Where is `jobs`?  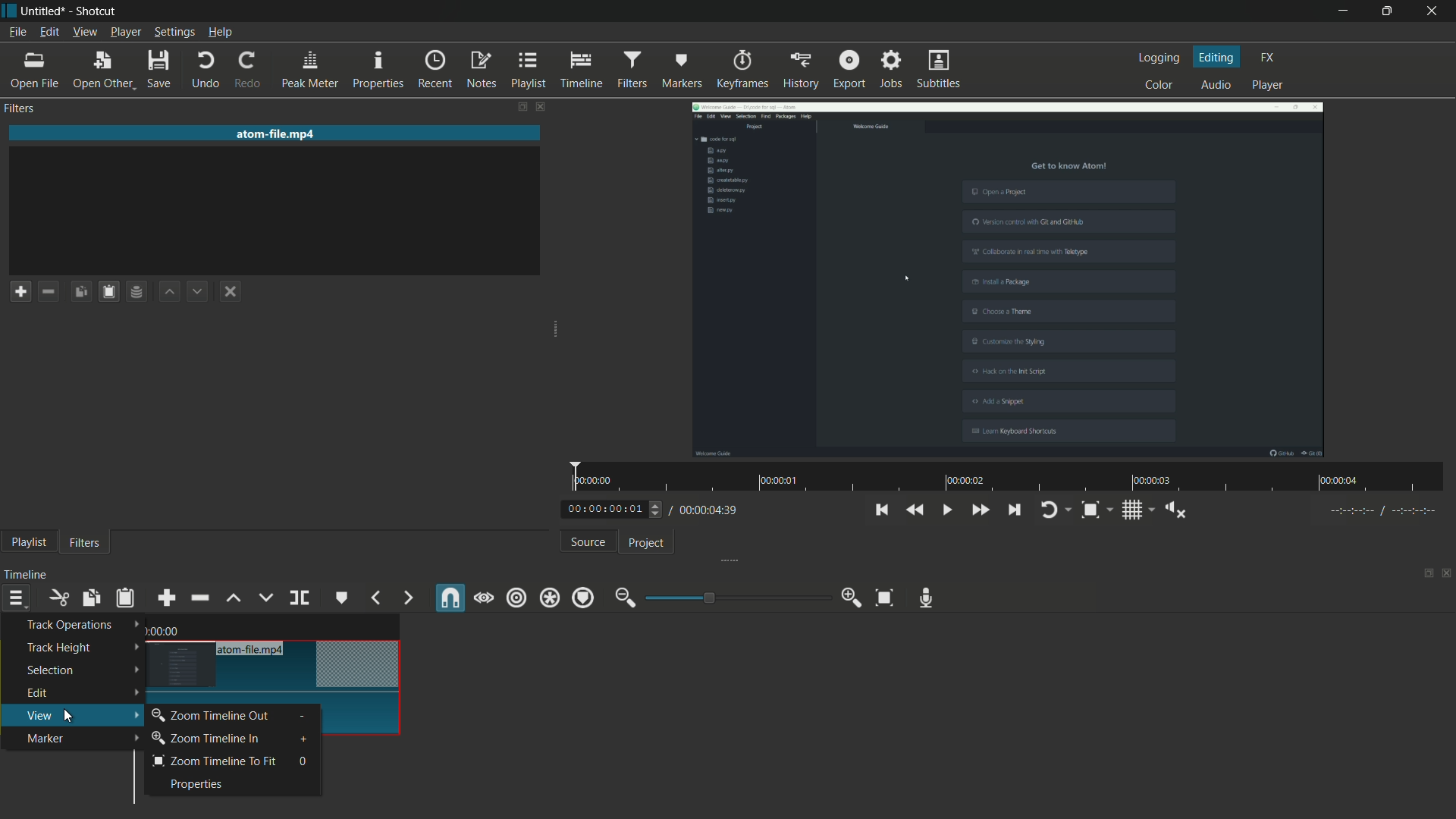 jobs is located at coordinates (891, 68).